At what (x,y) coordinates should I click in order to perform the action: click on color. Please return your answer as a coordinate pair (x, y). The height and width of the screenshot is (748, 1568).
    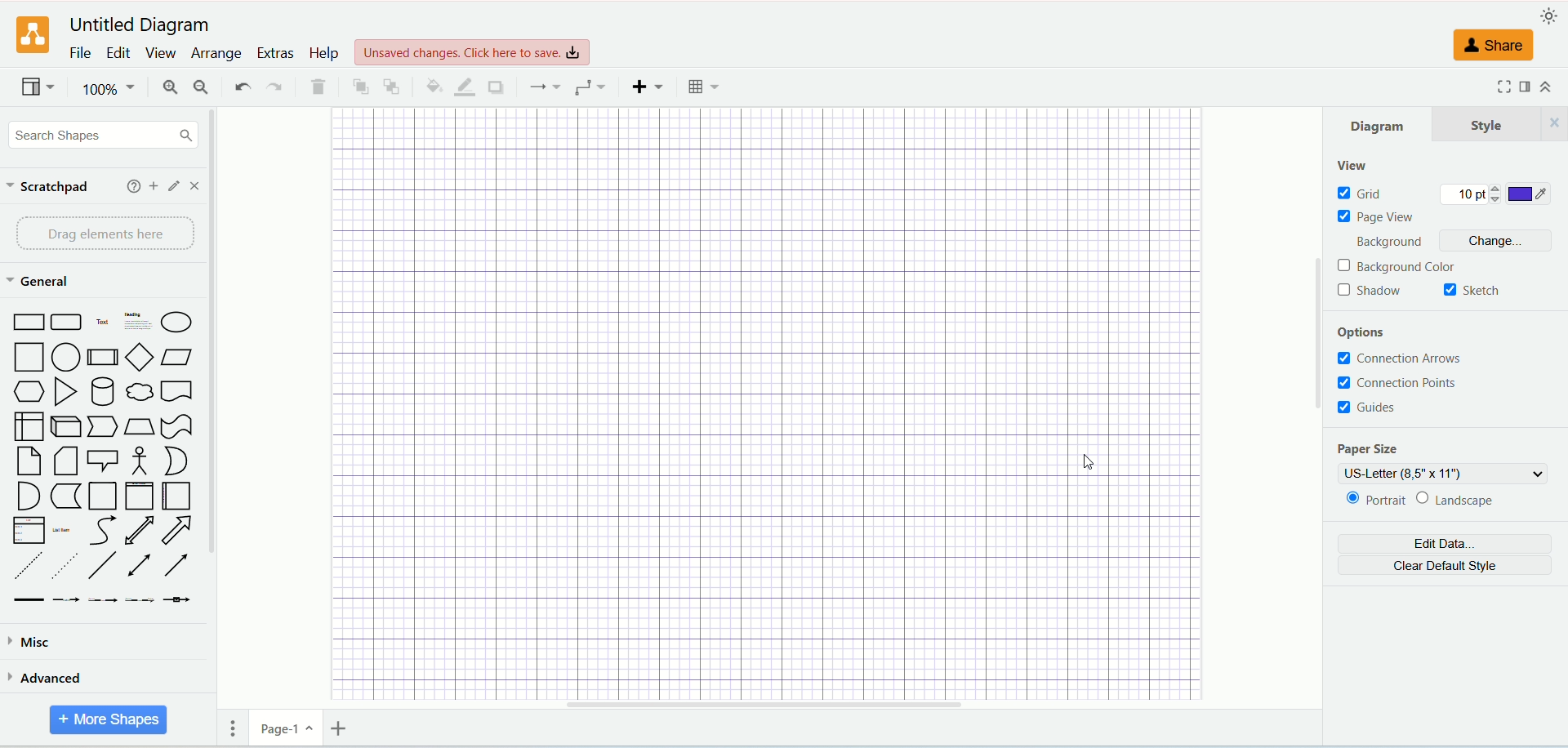
    Looking at the image, I should click on (1530, 195).